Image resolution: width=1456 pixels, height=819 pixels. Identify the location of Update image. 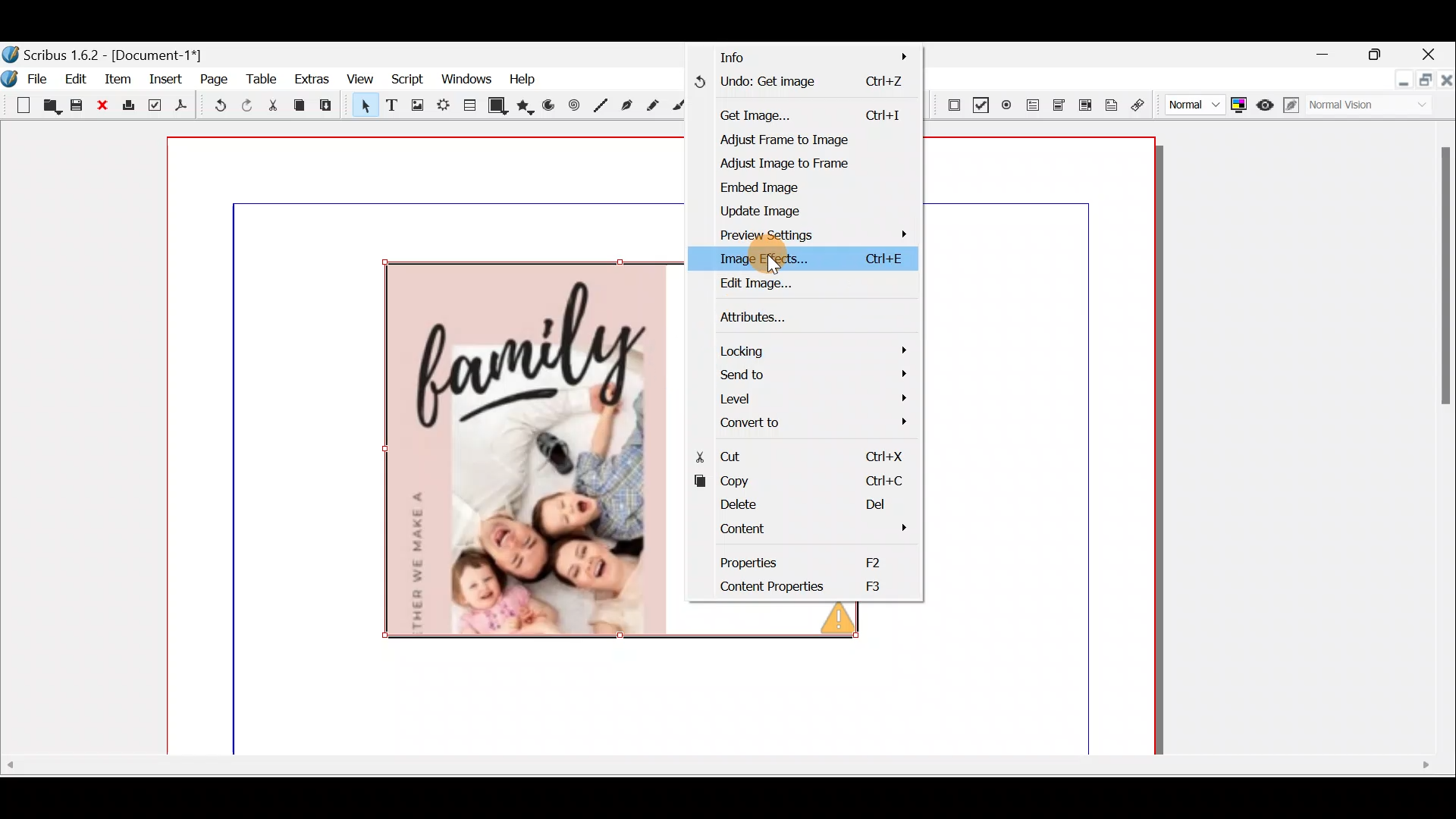
(777, 209).